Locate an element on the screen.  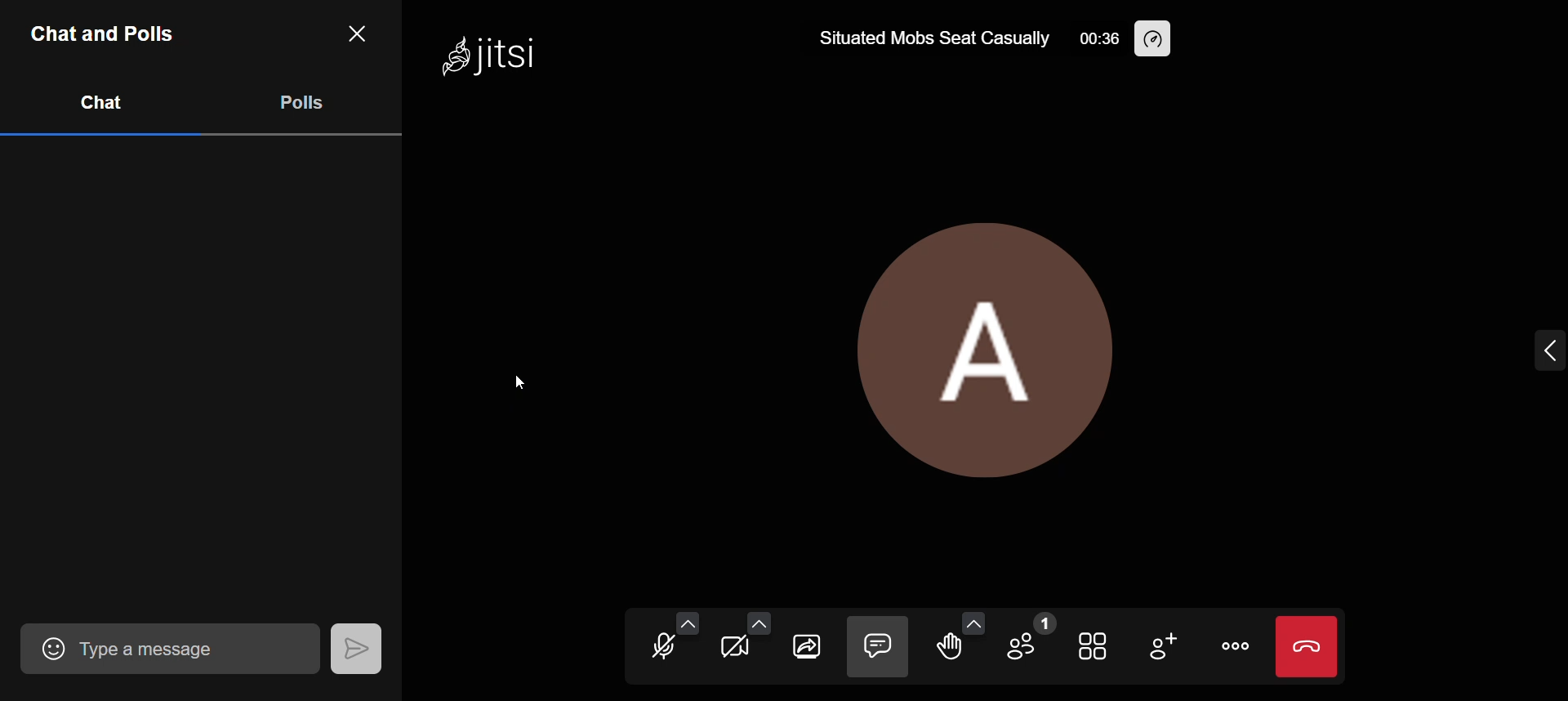
Type a Message is located at coordinates (197, 648).